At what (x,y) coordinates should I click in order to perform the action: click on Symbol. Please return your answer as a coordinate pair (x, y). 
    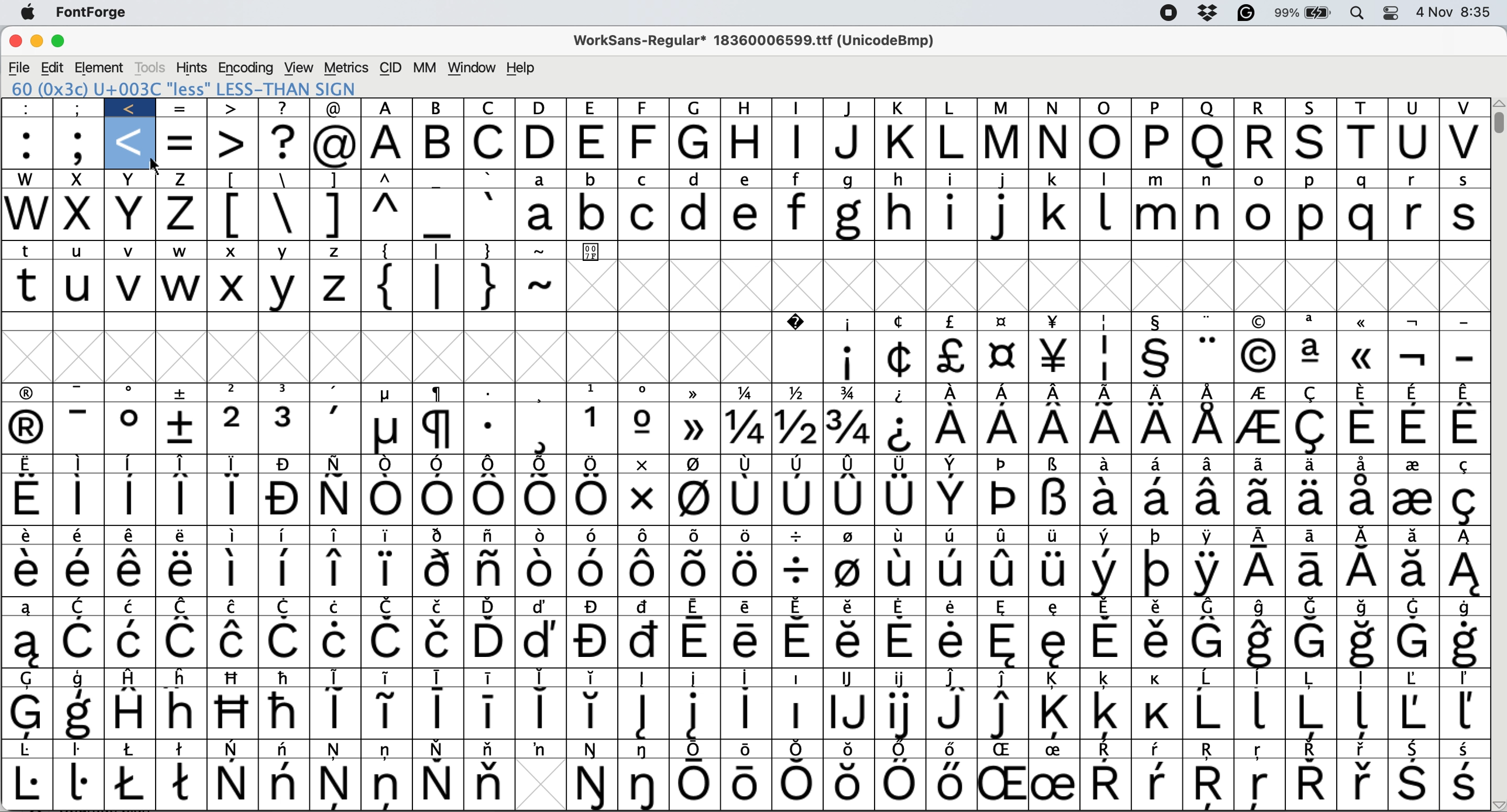
    Looking at the image, I should click on (30, 750).